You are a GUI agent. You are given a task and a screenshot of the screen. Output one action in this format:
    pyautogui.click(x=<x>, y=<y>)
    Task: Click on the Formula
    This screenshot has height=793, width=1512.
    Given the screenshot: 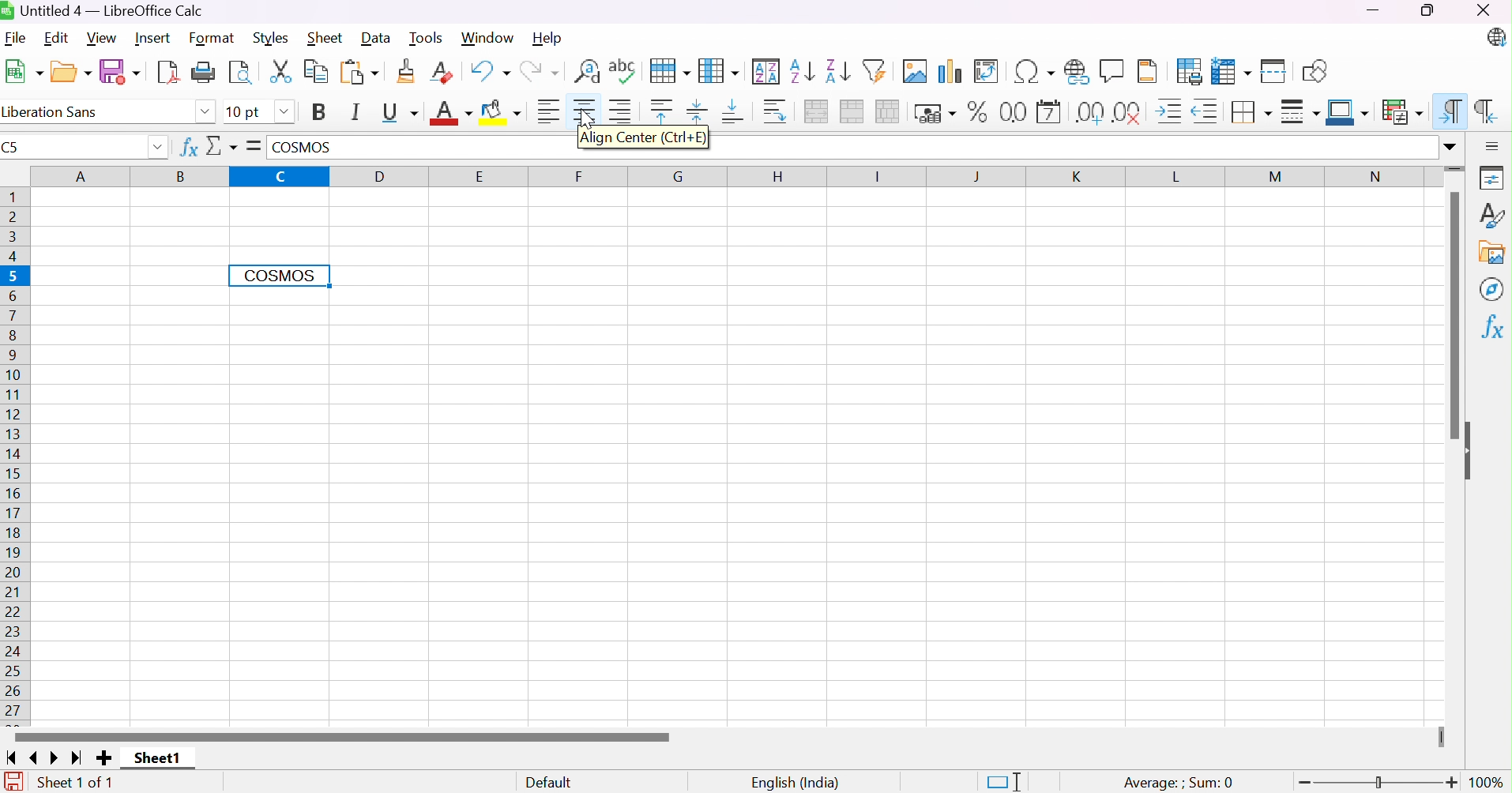 What is the action you would take?
    pyautogui.click(x=254, y=147)
    